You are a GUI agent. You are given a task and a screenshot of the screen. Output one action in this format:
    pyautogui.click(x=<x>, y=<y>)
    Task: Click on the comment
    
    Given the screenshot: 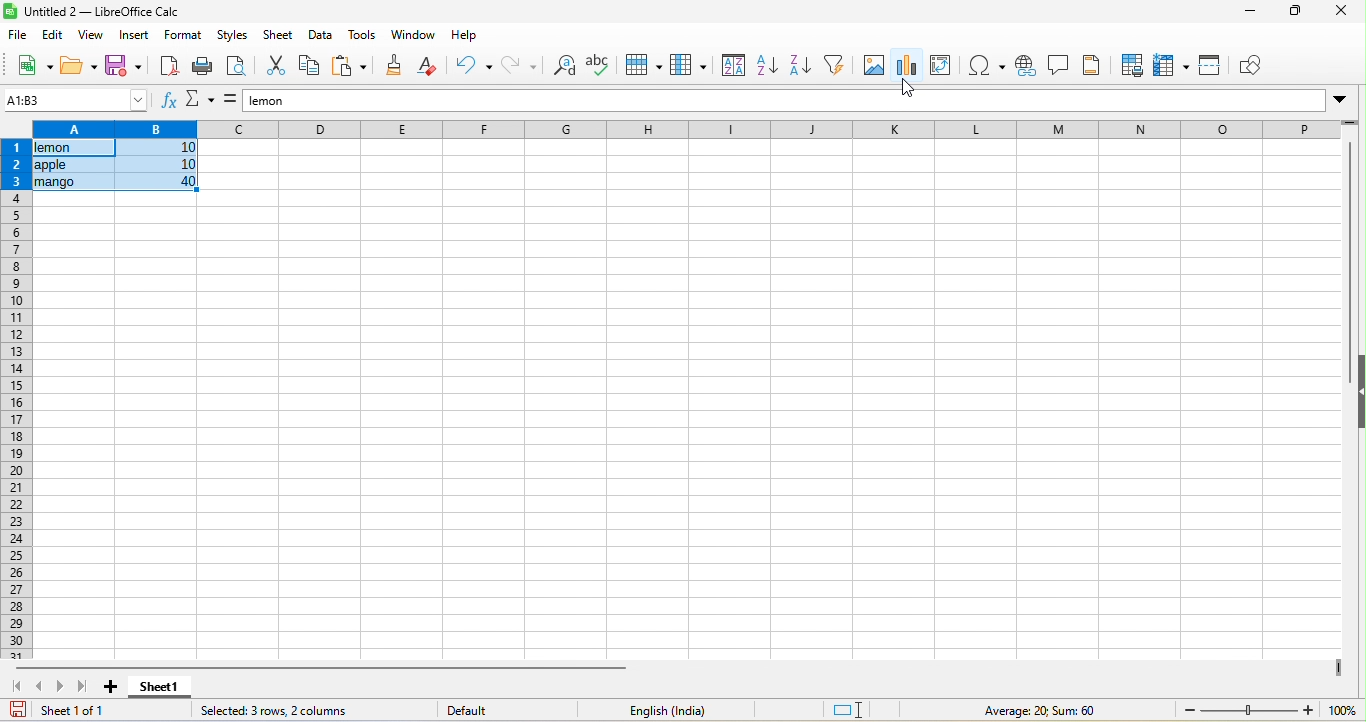 What is the action you would take?
    pyautogui.click(x=1058, y=67)
    